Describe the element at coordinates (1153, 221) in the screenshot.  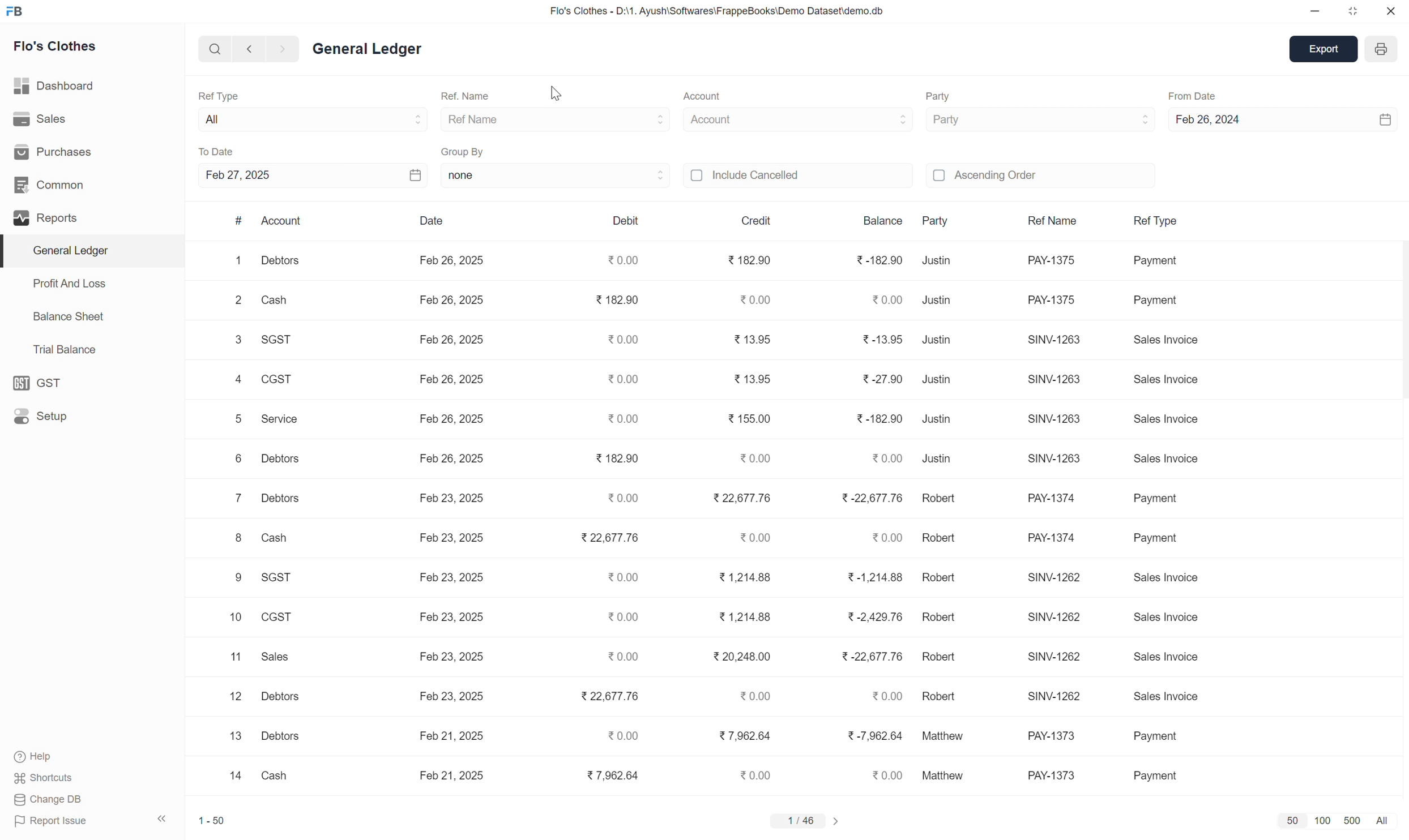
I see `ref name` at that location.